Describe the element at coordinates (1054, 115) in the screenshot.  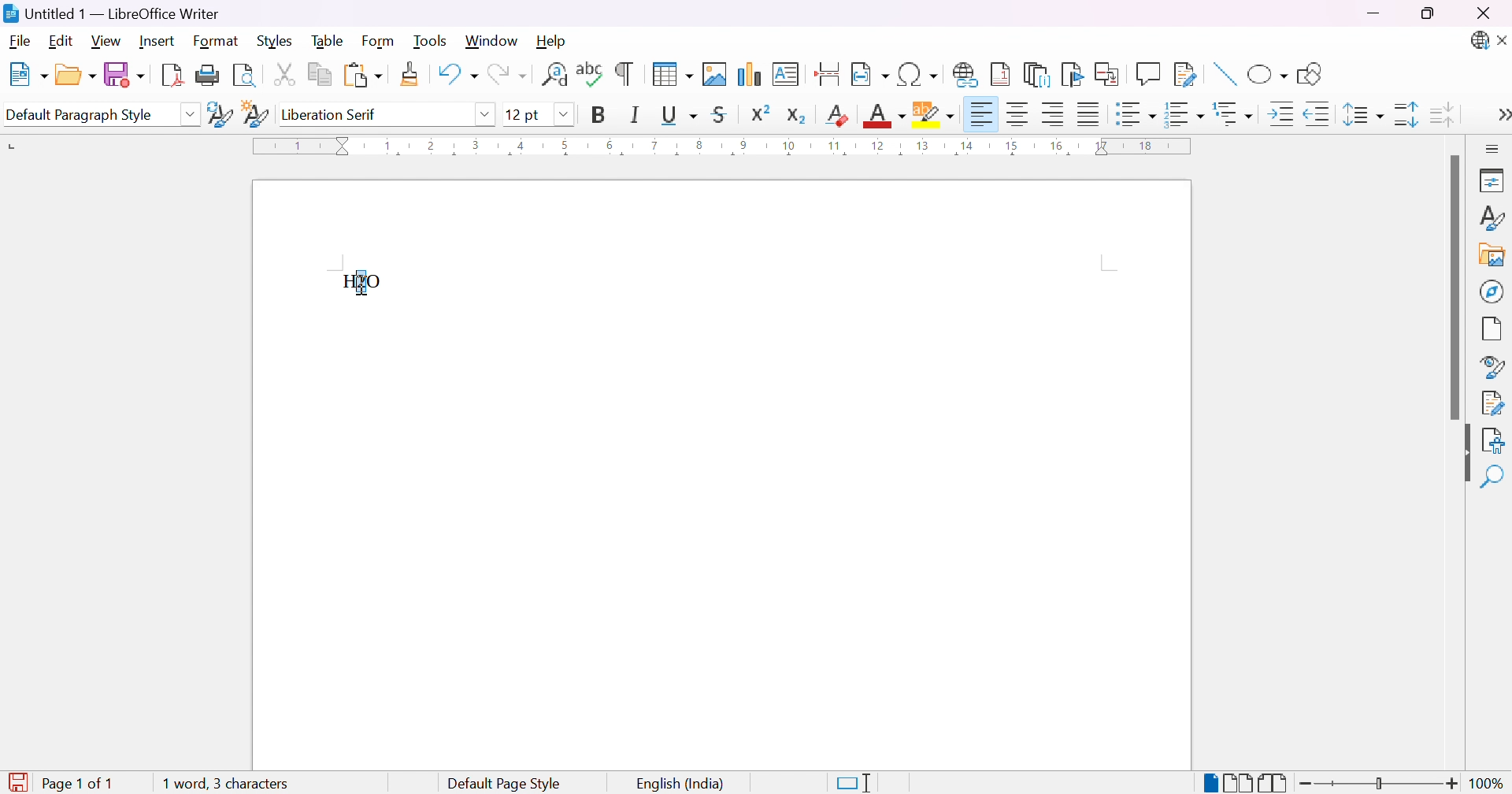
I see `Align right` at that location.